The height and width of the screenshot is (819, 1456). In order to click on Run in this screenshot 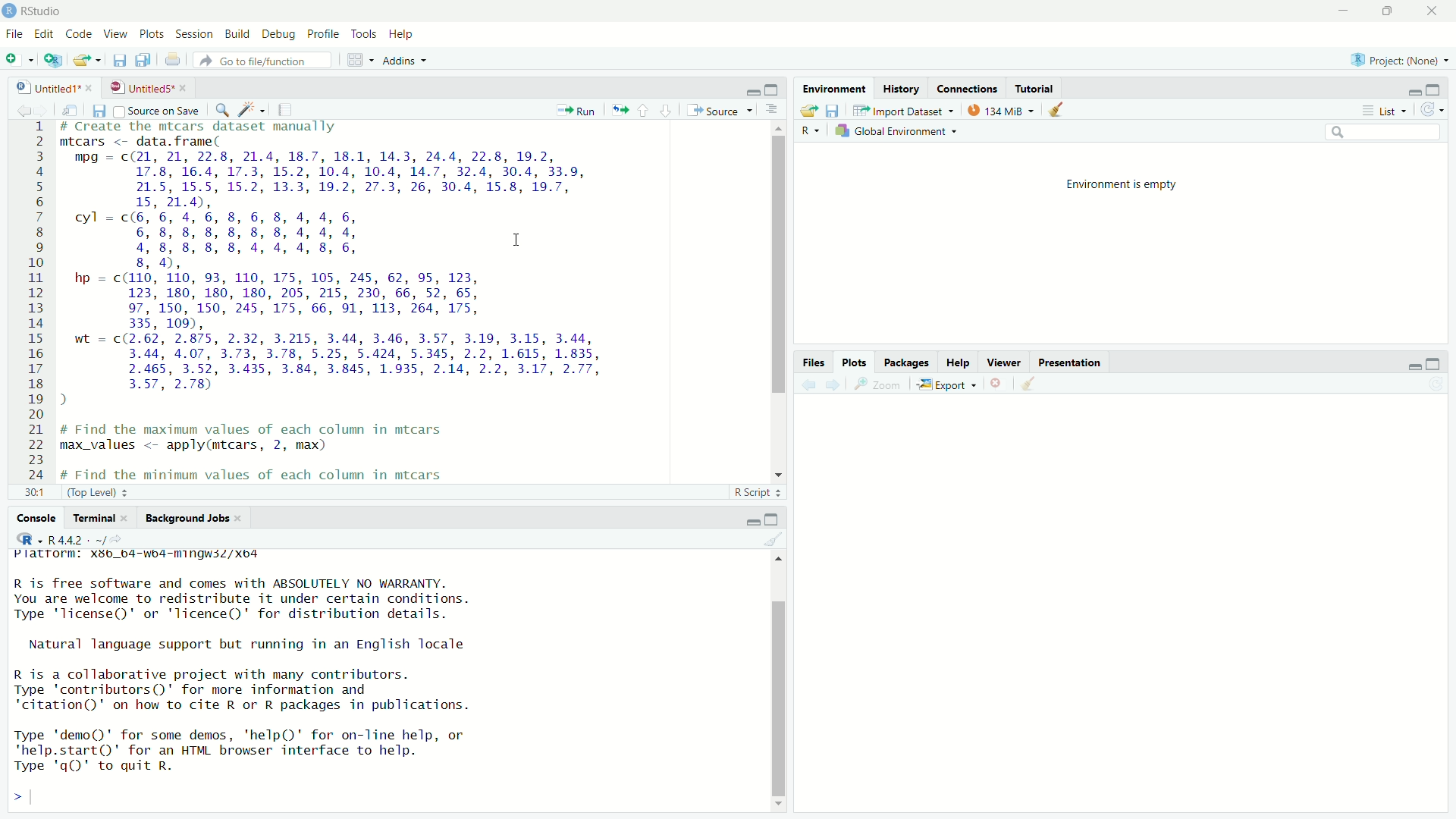, I will do `click(578, 109)`.